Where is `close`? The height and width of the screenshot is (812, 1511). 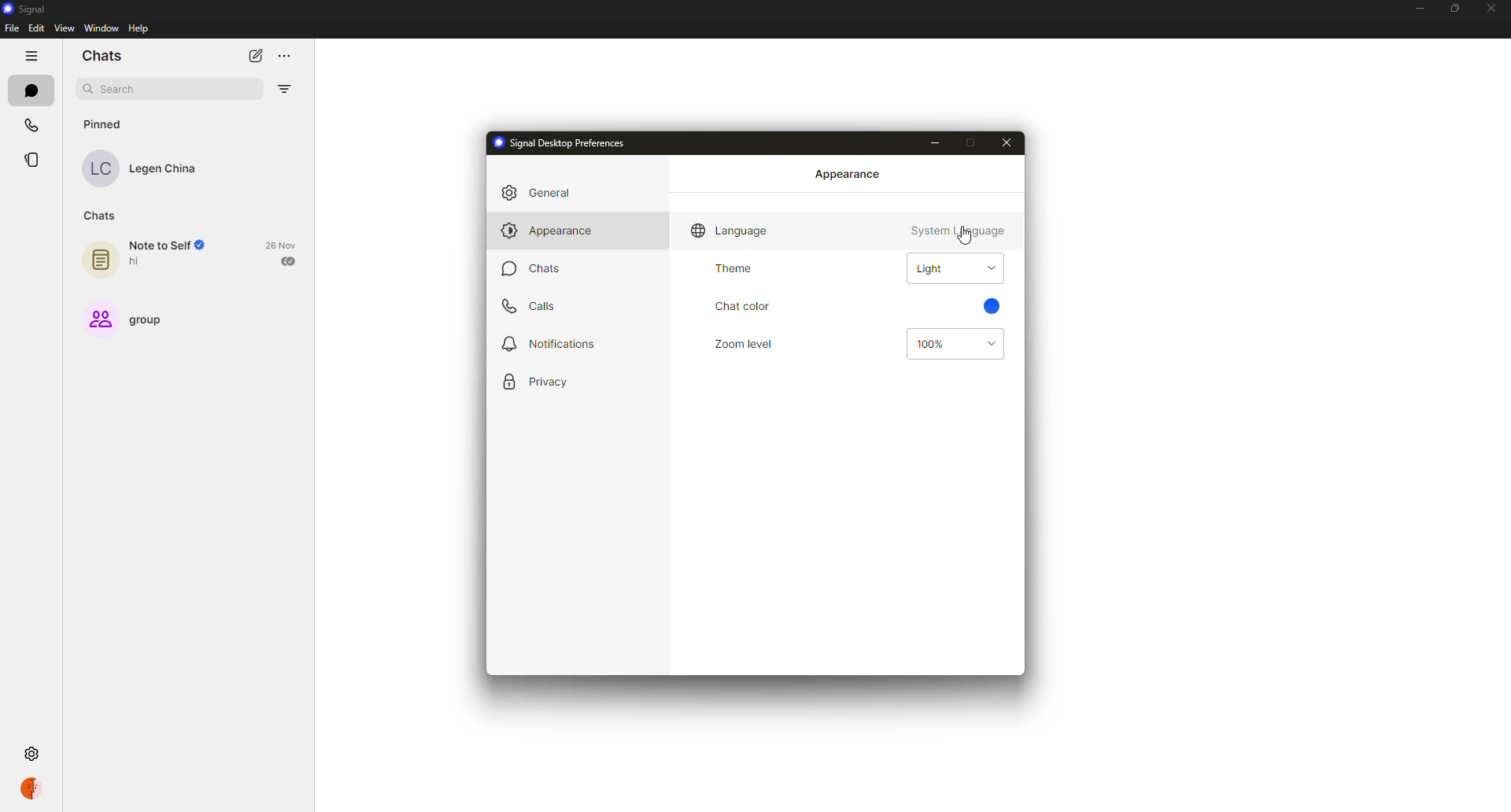
close is located at coordinates (1492, 6).